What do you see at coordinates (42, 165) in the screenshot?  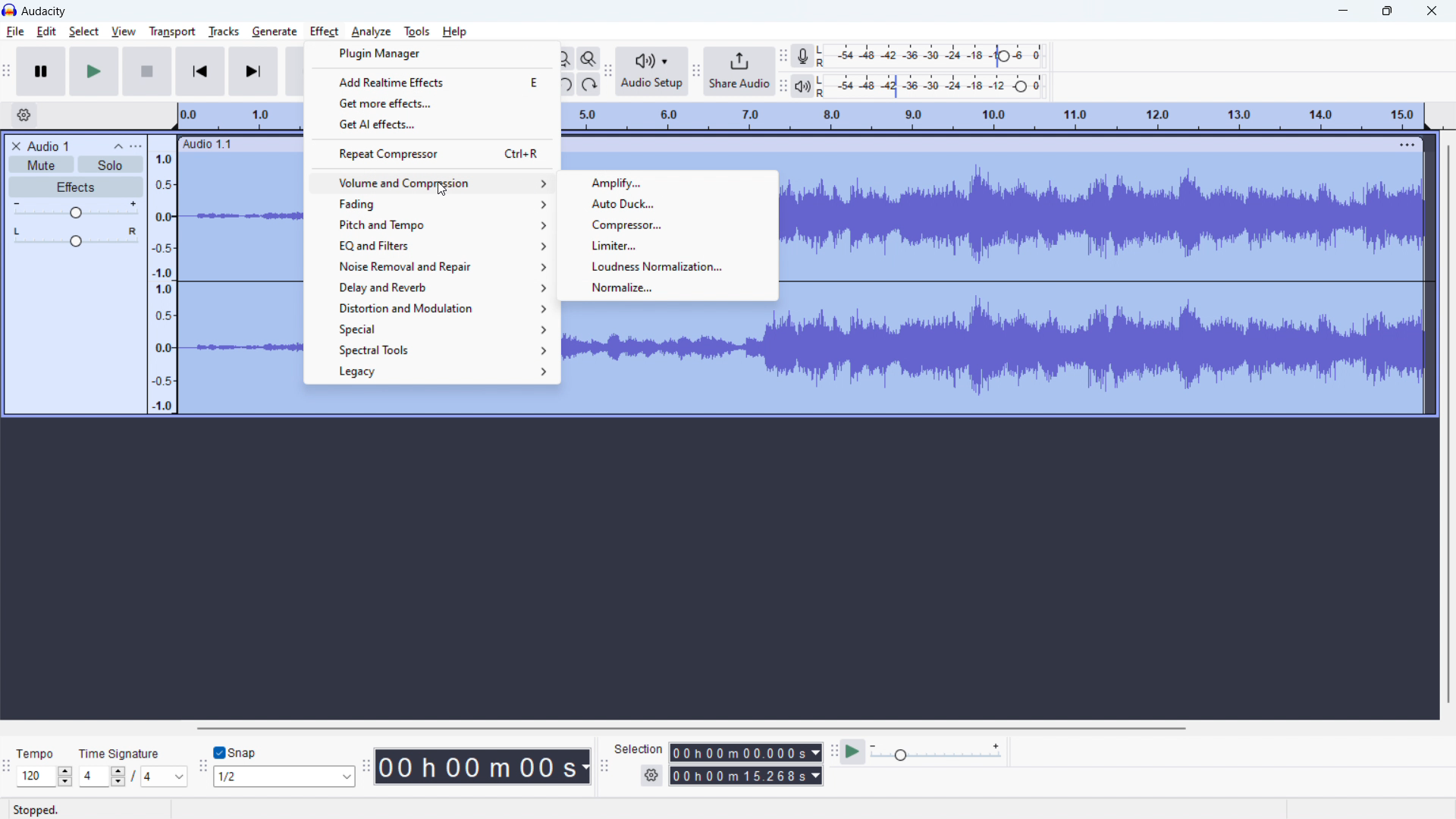 I see `mute` at bounding box center [42, 165].